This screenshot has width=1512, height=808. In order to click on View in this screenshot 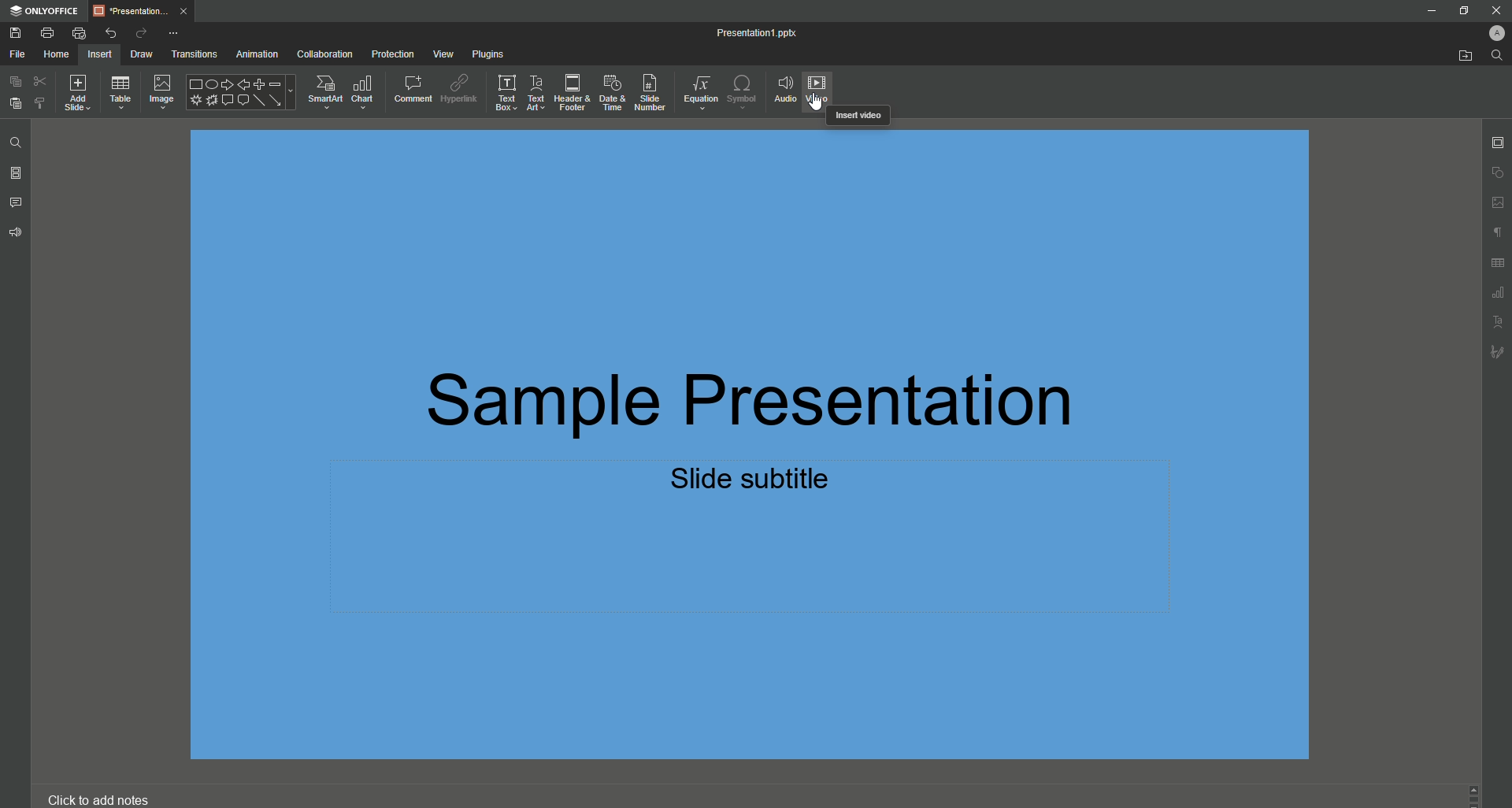, I will do `click(438, 54)`.